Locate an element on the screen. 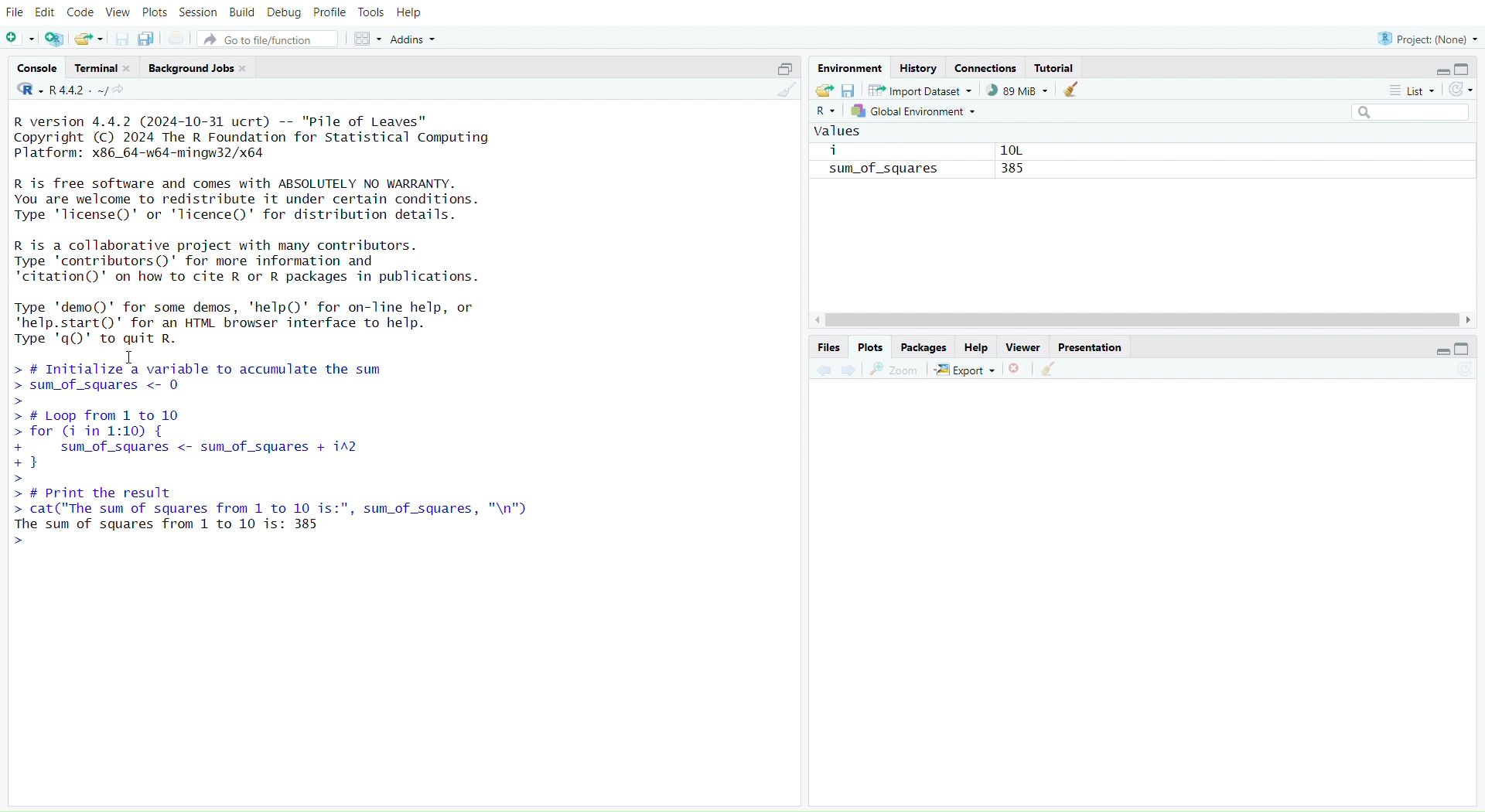 This screenshot has width=1485, height=812. clear objects is located at coordinates (1074, 91).